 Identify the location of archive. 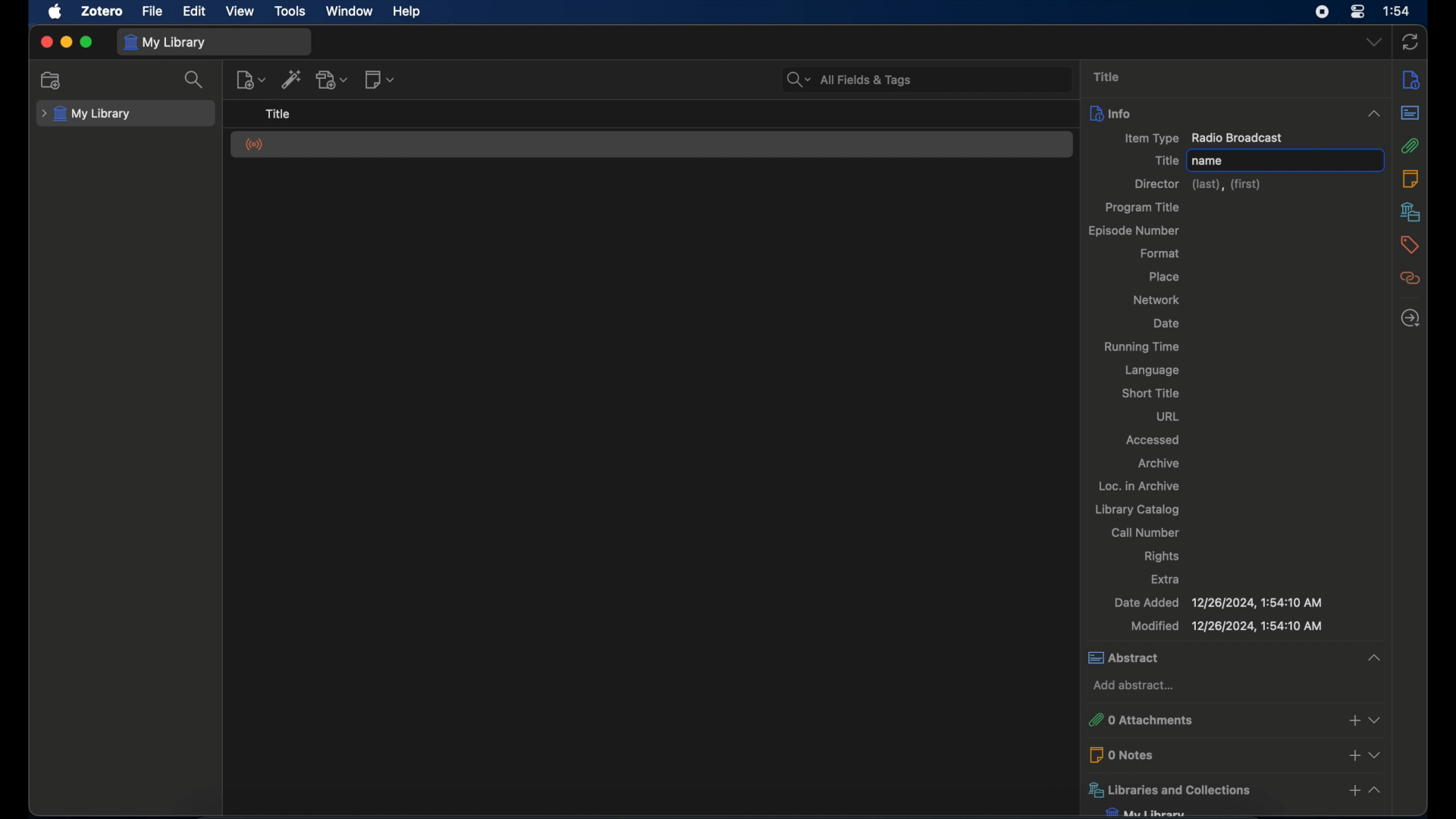
(1159, 463).